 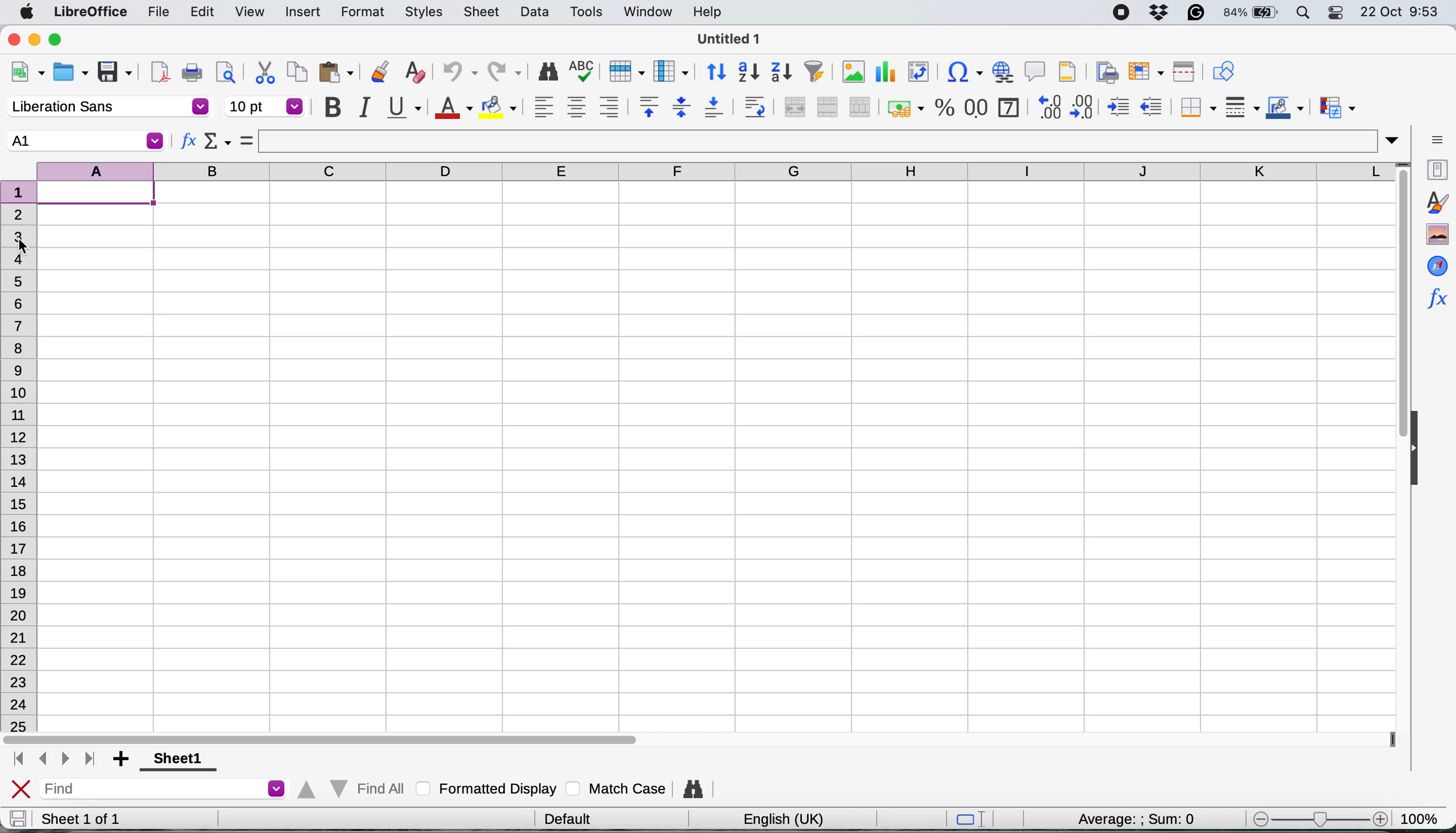 What do you see at coordinates (977, 106) in the screenshot?
I see `format as number` at bounding box center [977, 106].